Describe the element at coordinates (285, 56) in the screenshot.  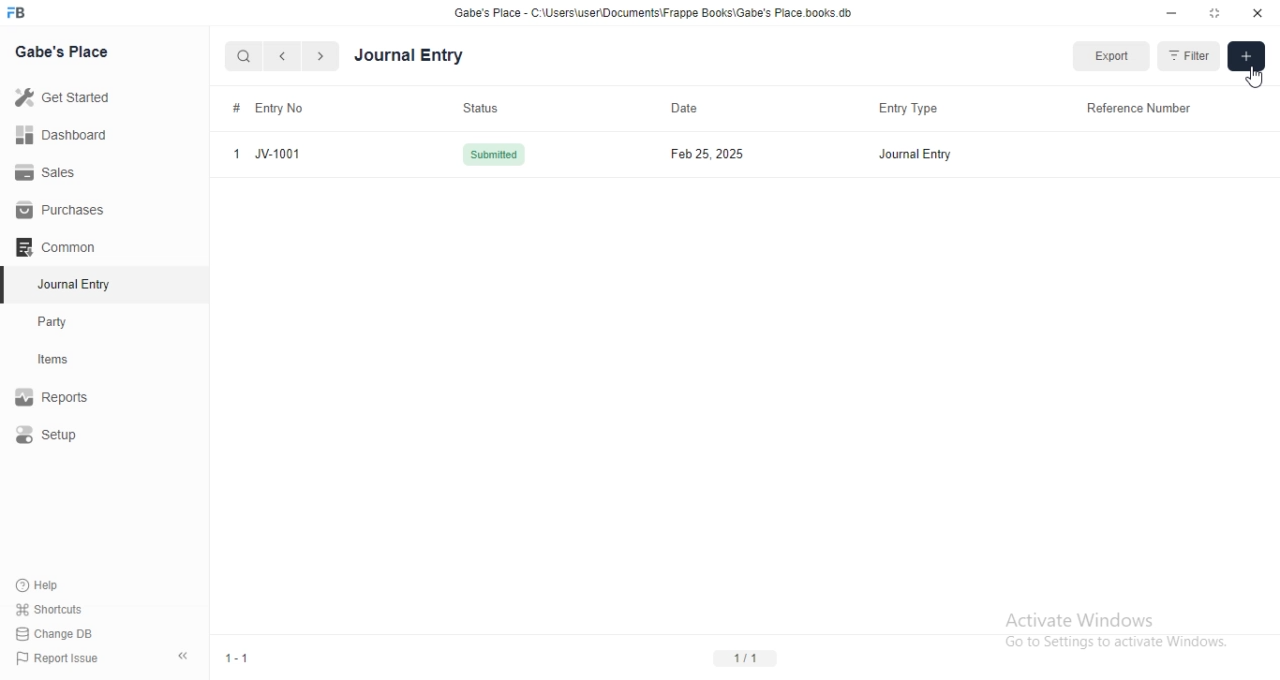
I see `navigate backward` at that location.